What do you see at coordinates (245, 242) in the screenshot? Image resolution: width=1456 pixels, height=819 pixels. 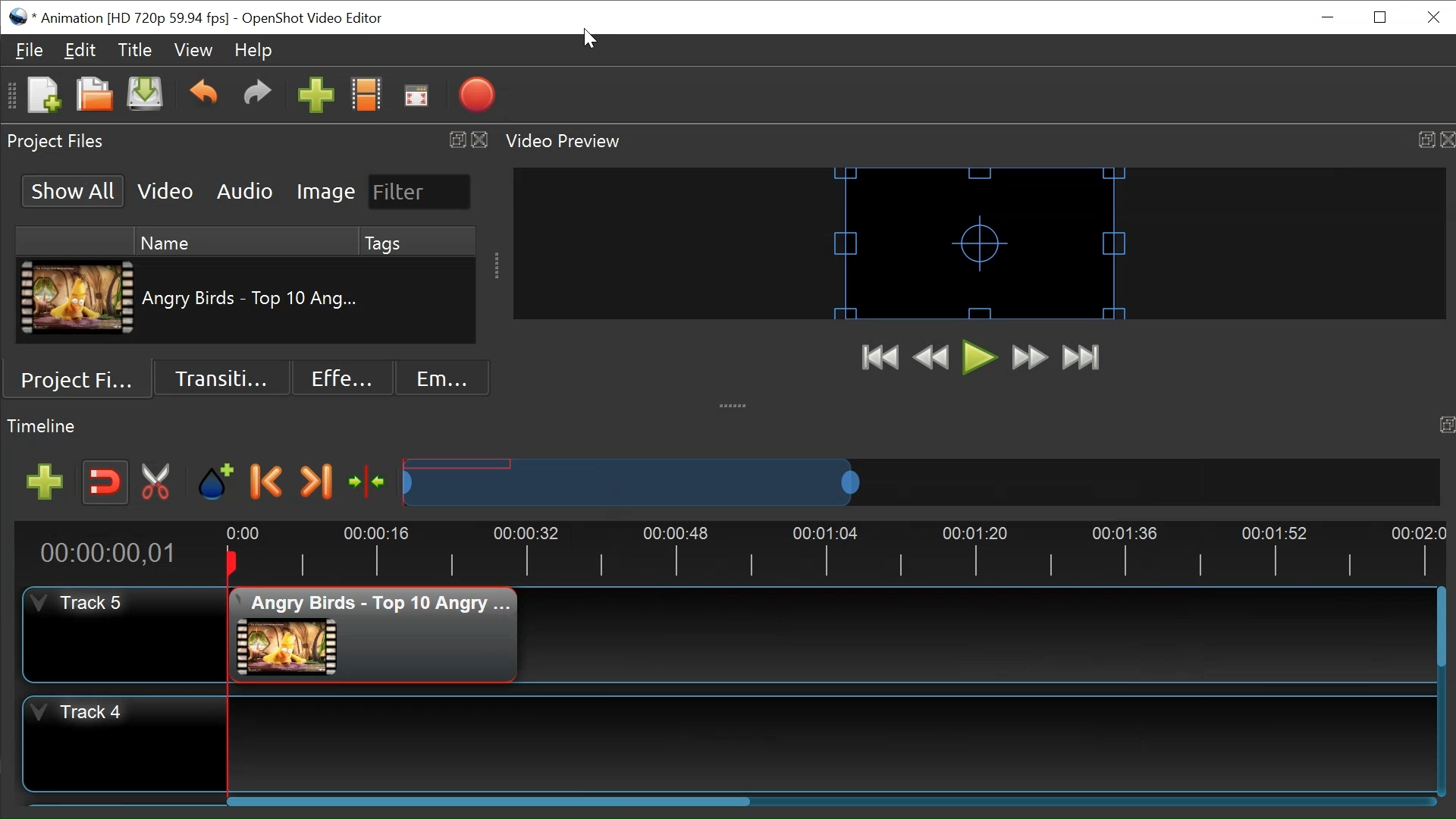 I see `Name` at bounding box center [245, 242].